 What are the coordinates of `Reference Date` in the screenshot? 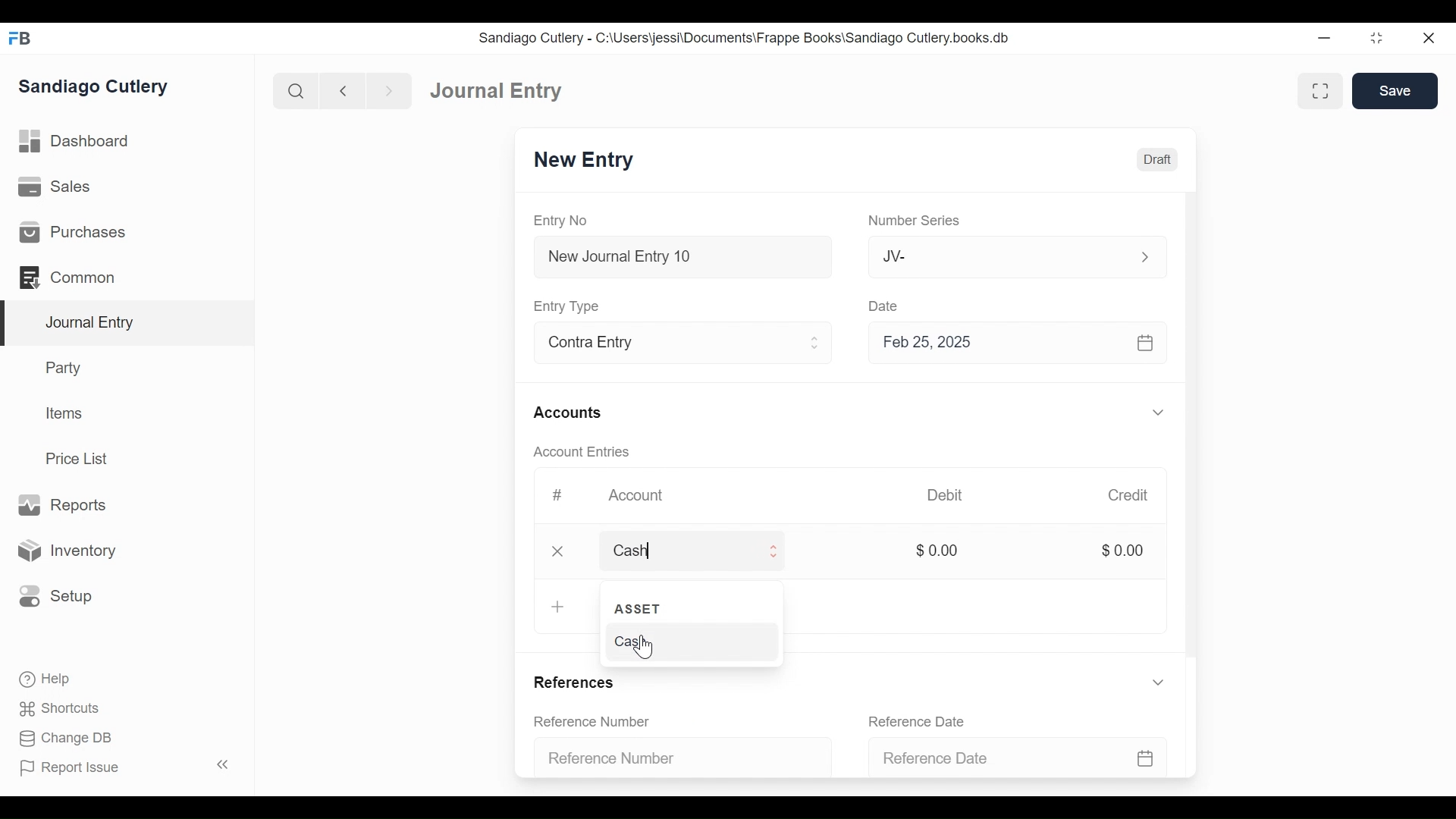 It's located at (1016, 752).